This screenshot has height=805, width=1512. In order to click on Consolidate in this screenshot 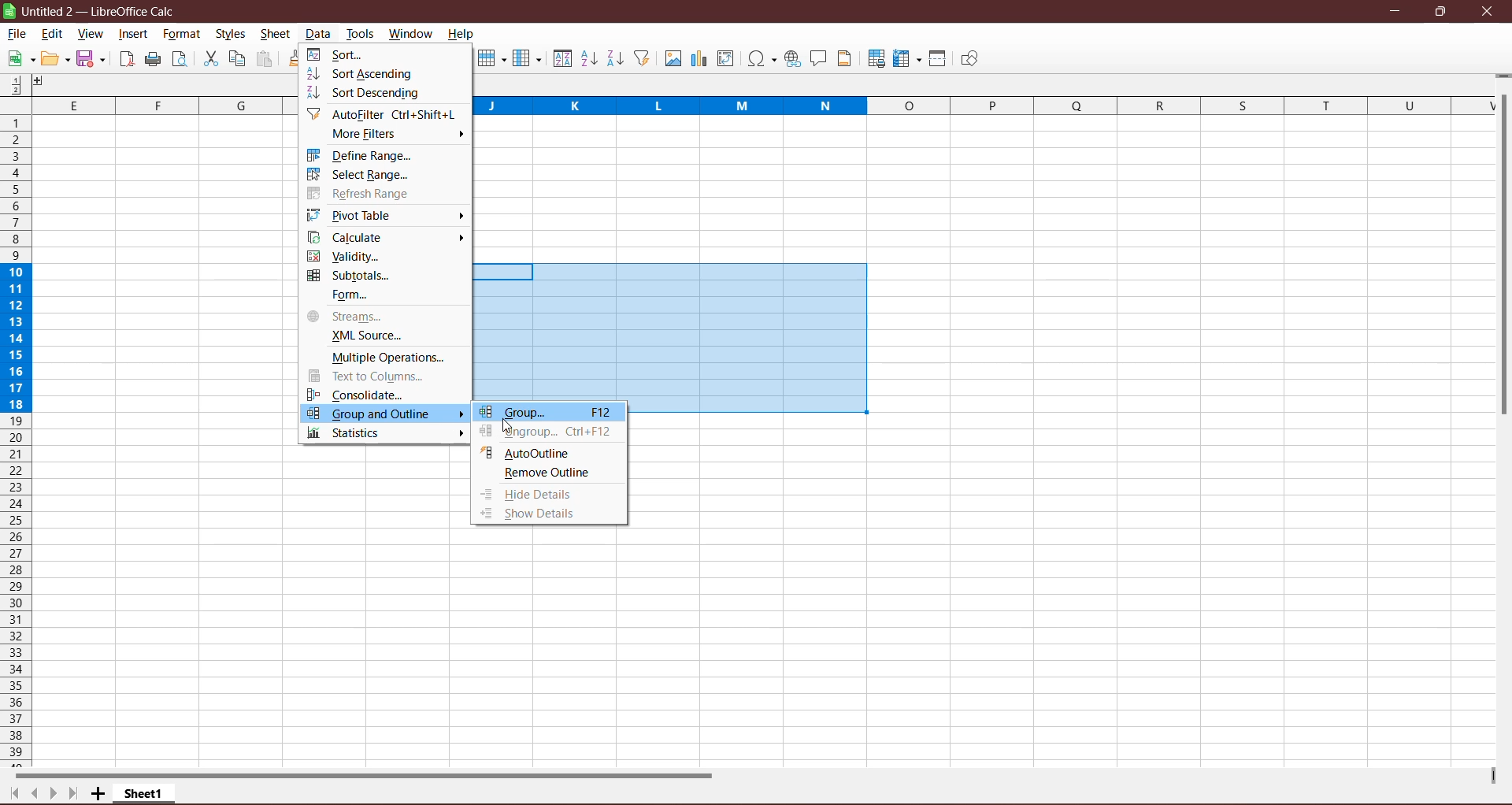, I will do `click(357, 393)`.